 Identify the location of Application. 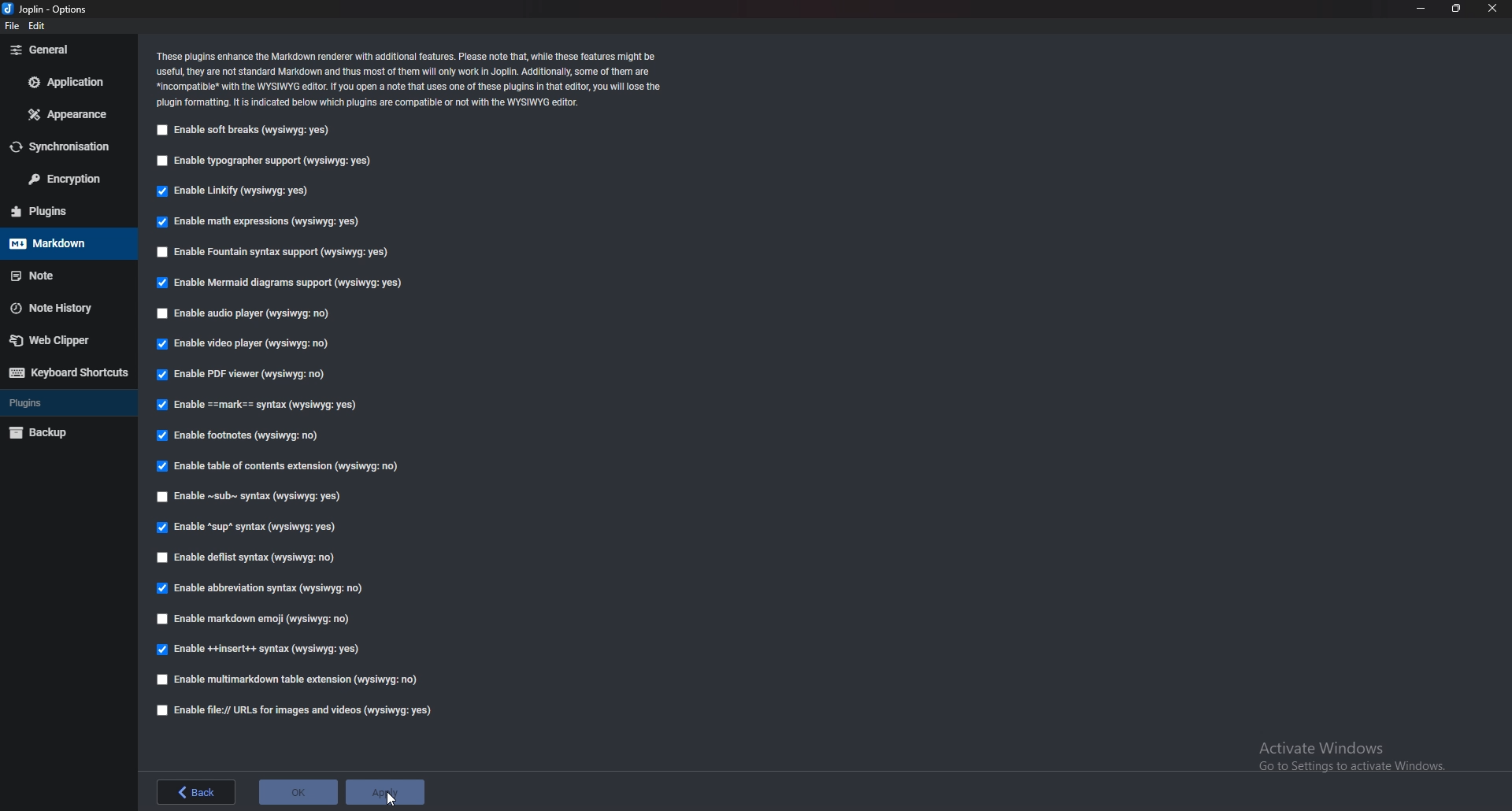
(69, 83).